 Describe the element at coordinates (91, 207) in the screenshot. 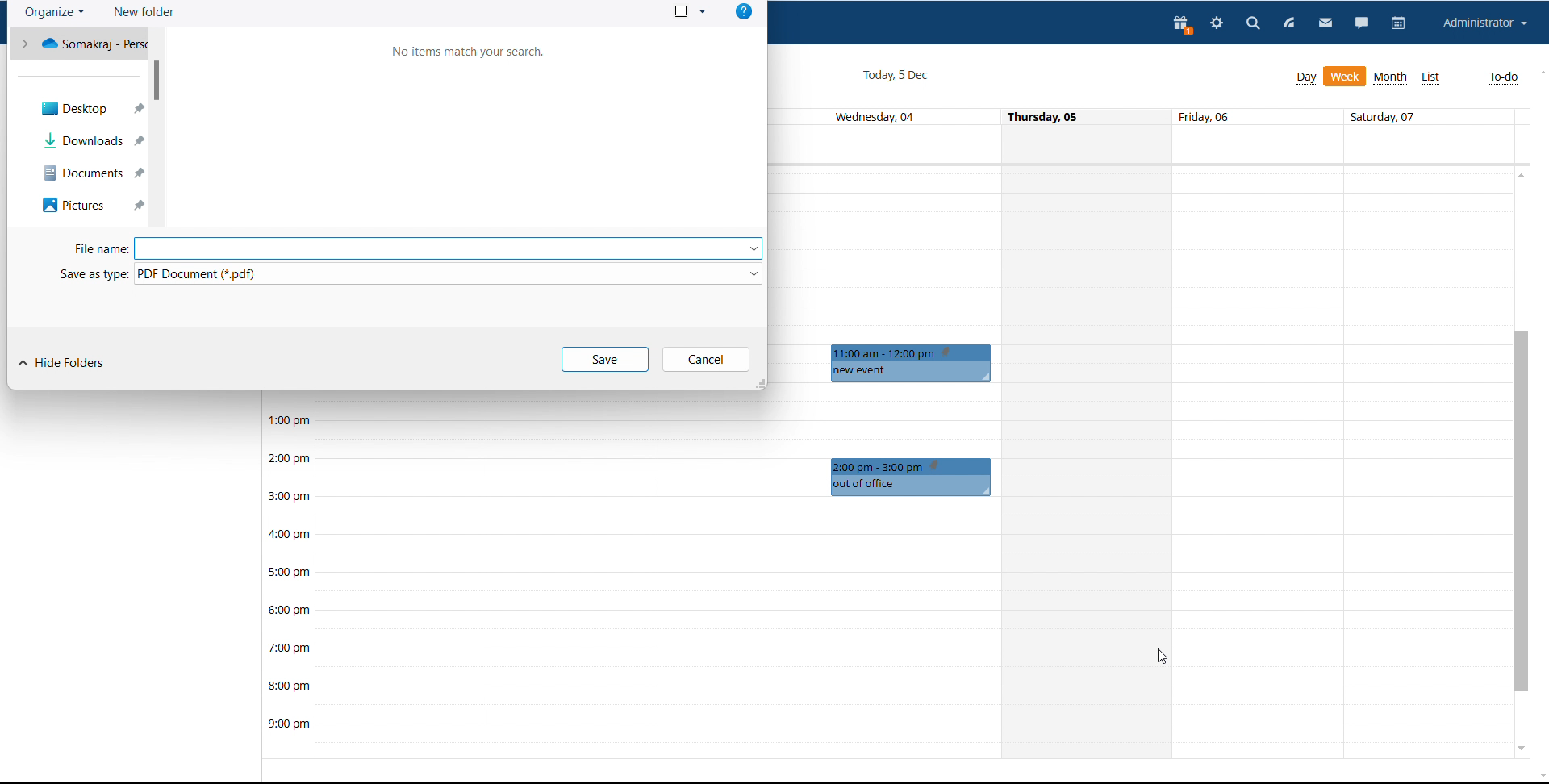

I see `` at that location.